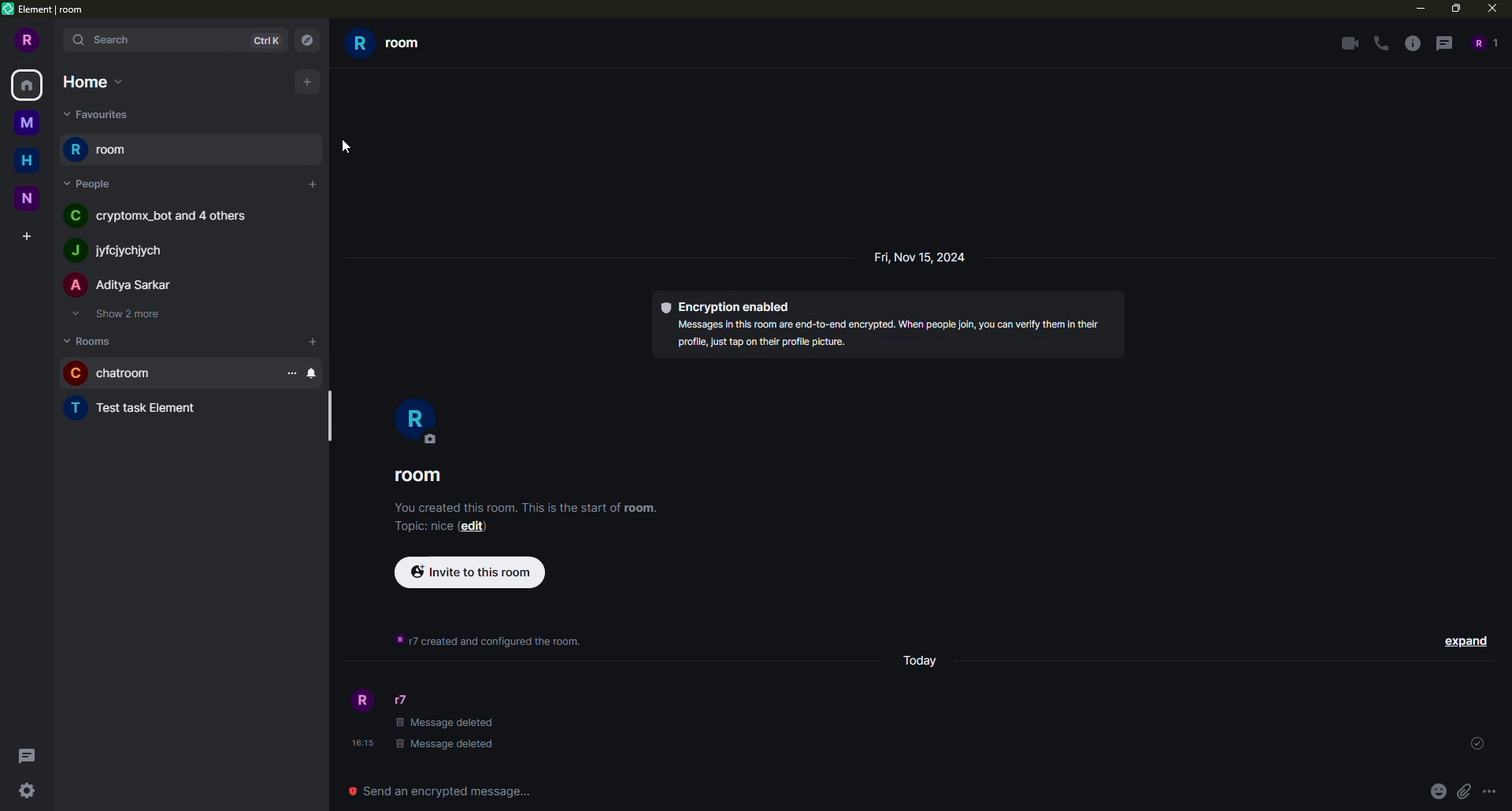  Describe the element at coordinates (47, 9) in the screenshot. I see `element` at that location.